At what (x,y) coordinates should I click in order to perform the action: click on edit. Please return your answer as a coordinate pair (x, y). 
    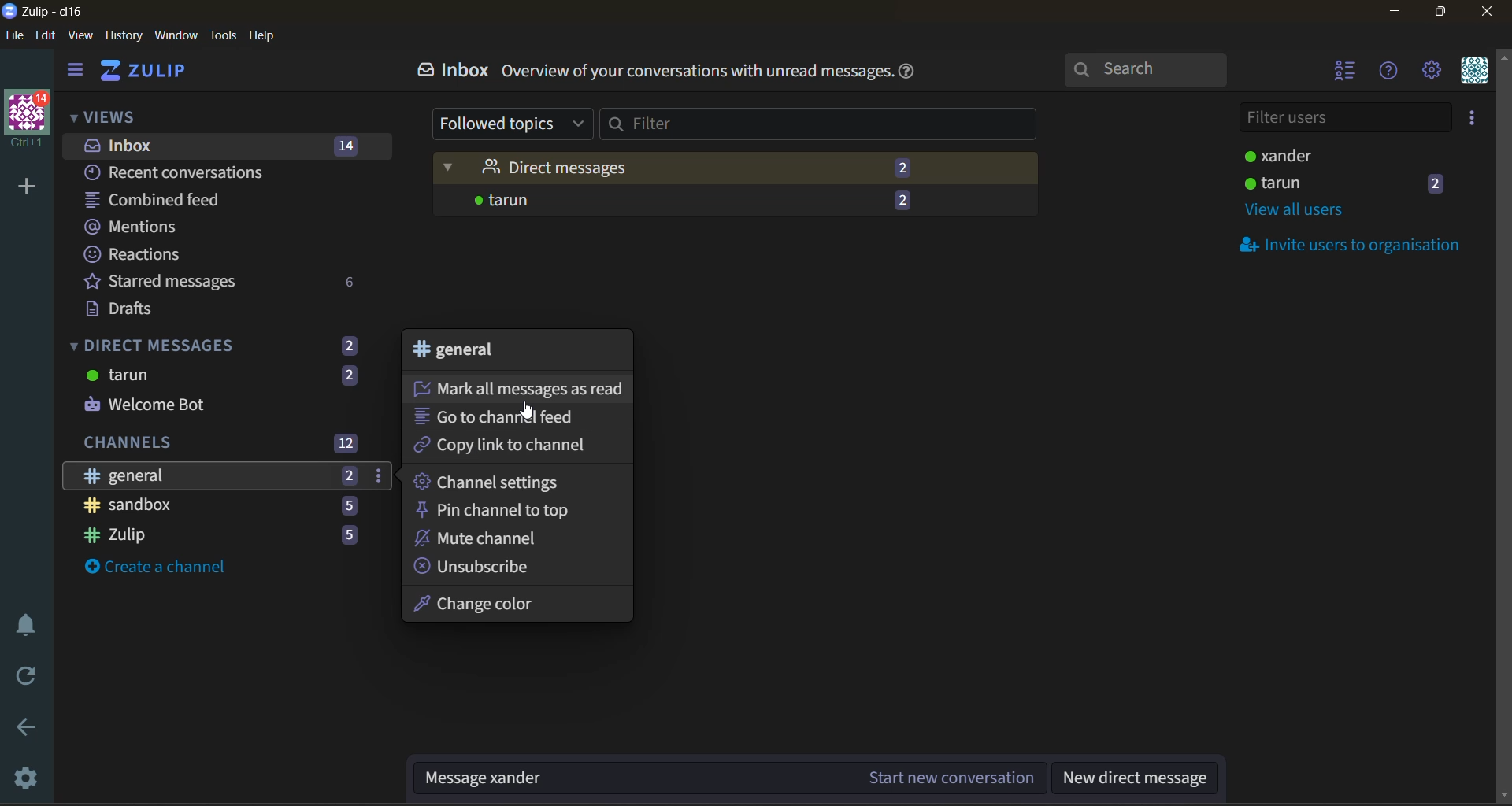
    Looking at the image, I should click on (46, 36).